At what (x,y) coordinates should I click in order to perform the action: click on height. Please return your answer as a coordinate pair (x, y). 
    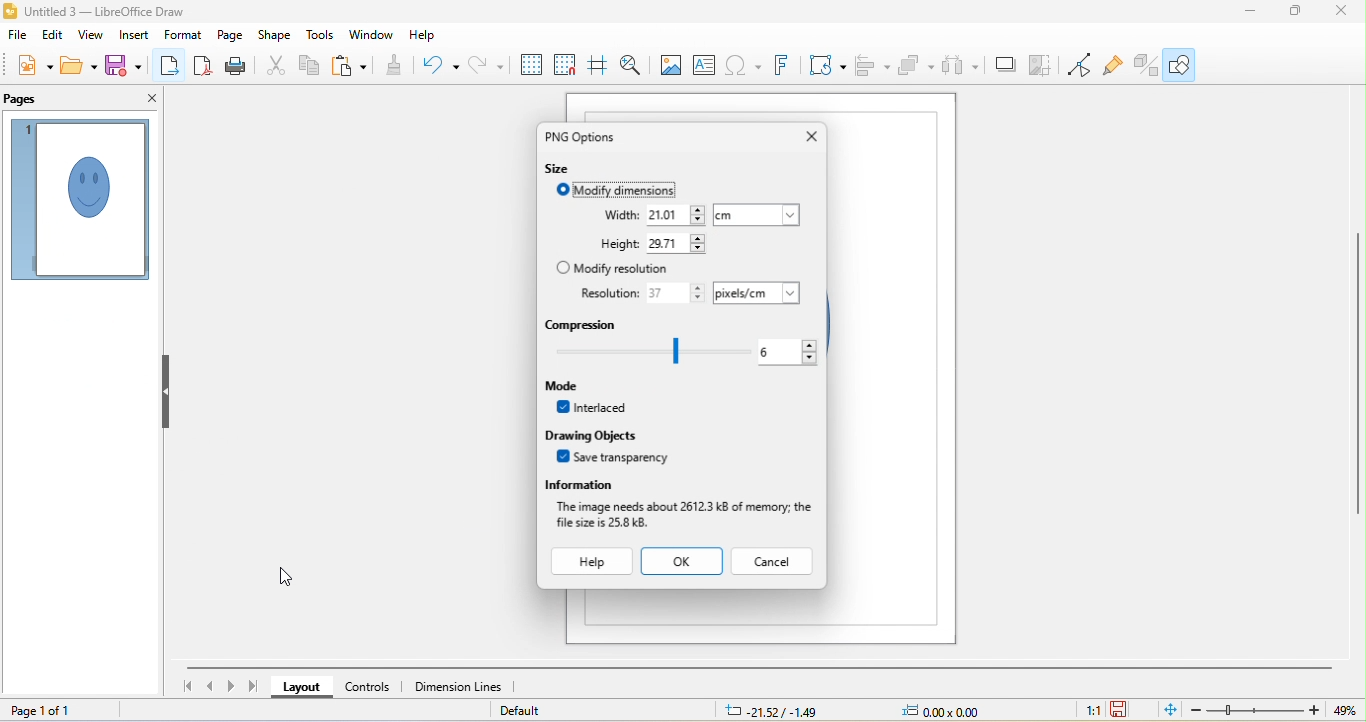
    Looking at the image, I should click on (620, 247).